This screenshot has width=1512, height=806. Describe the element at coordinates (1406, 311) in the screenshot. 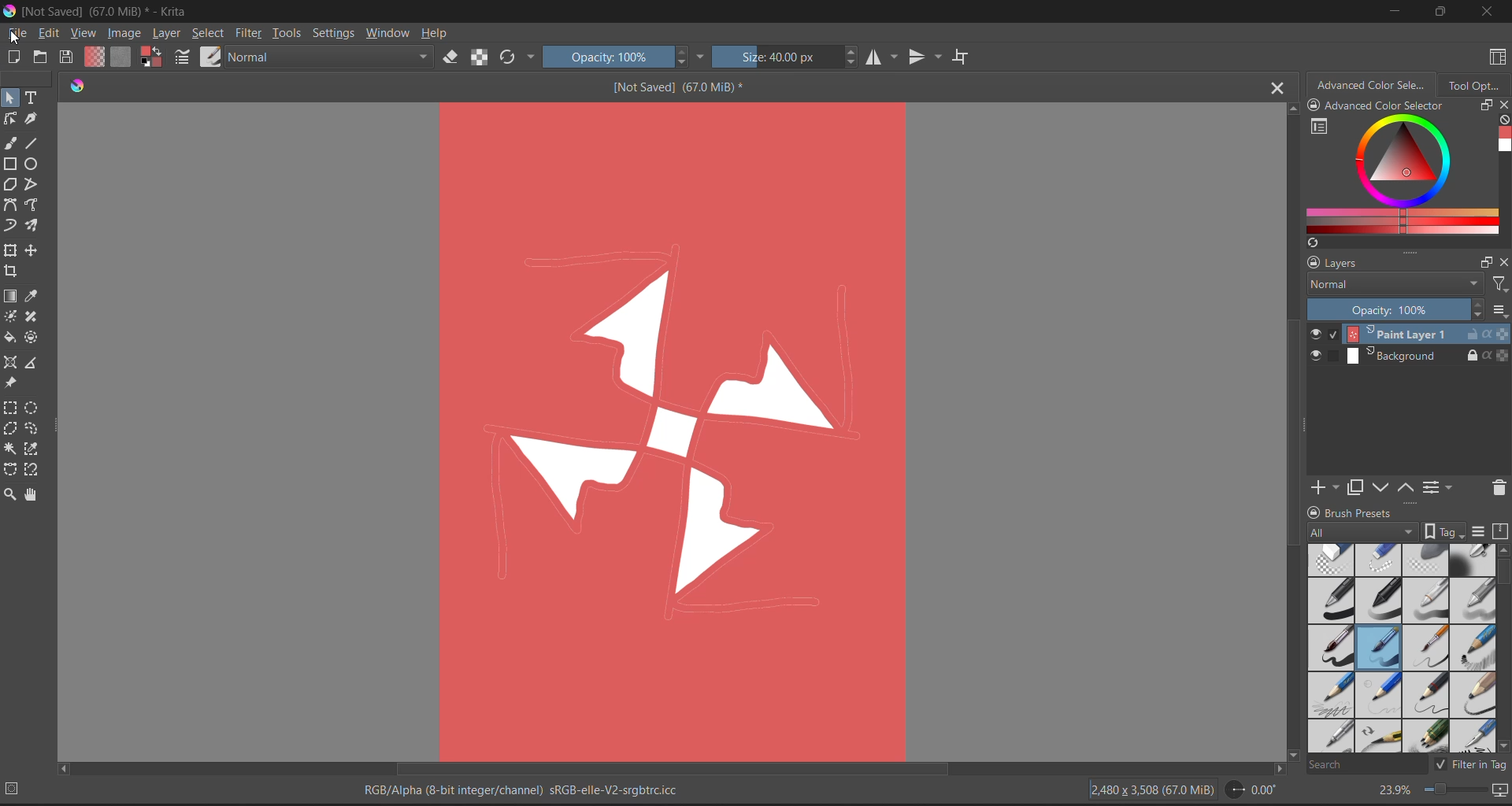

I see `opacity` at that location.